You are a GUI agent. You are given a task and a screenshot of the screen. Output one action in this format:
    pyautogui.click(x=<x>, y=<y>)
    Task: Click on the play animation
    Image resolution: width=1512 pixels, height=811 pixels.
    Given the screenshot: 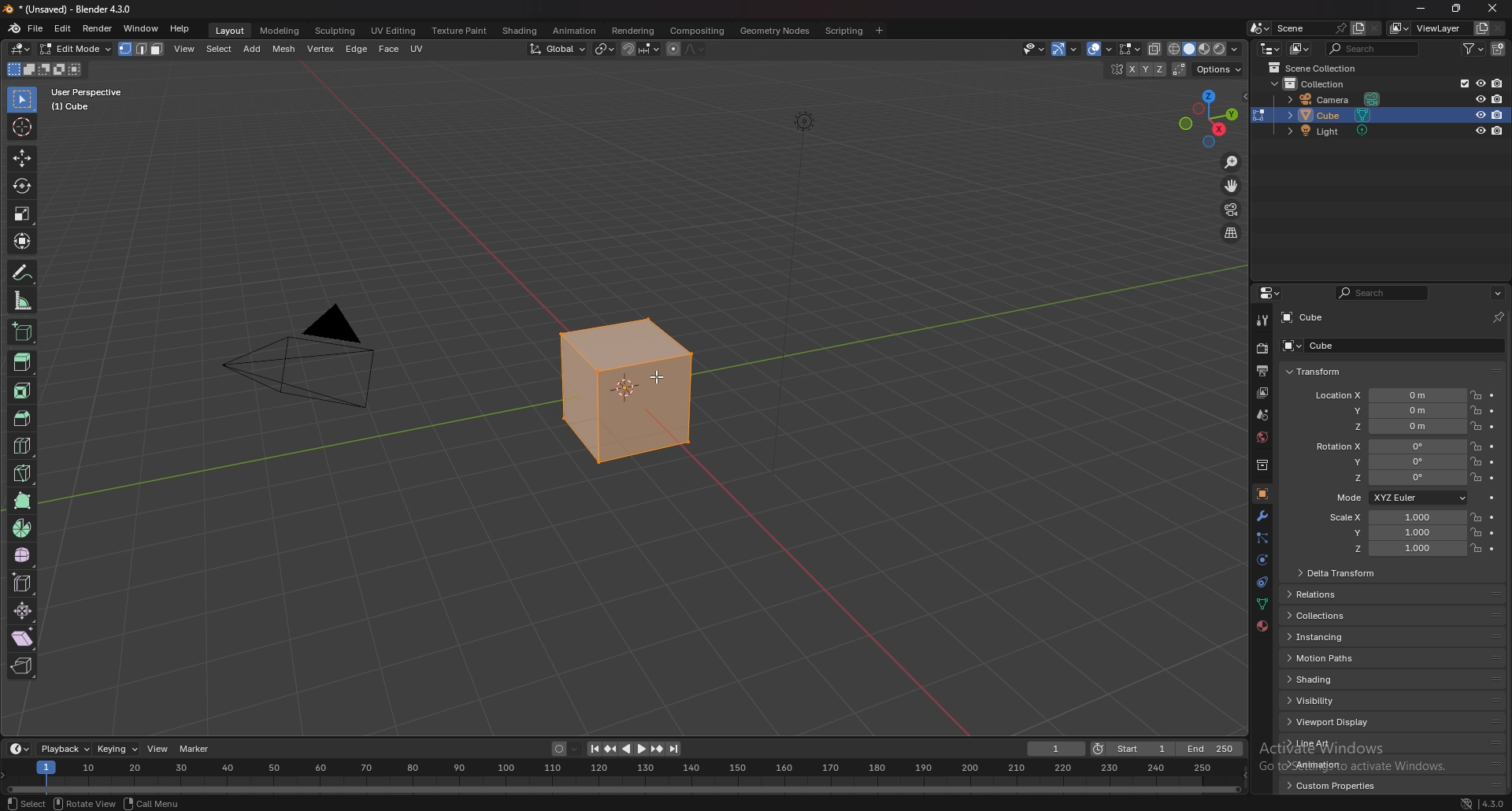 What is the action you would take?
    pyautogui.click(x=635, y=749)
    